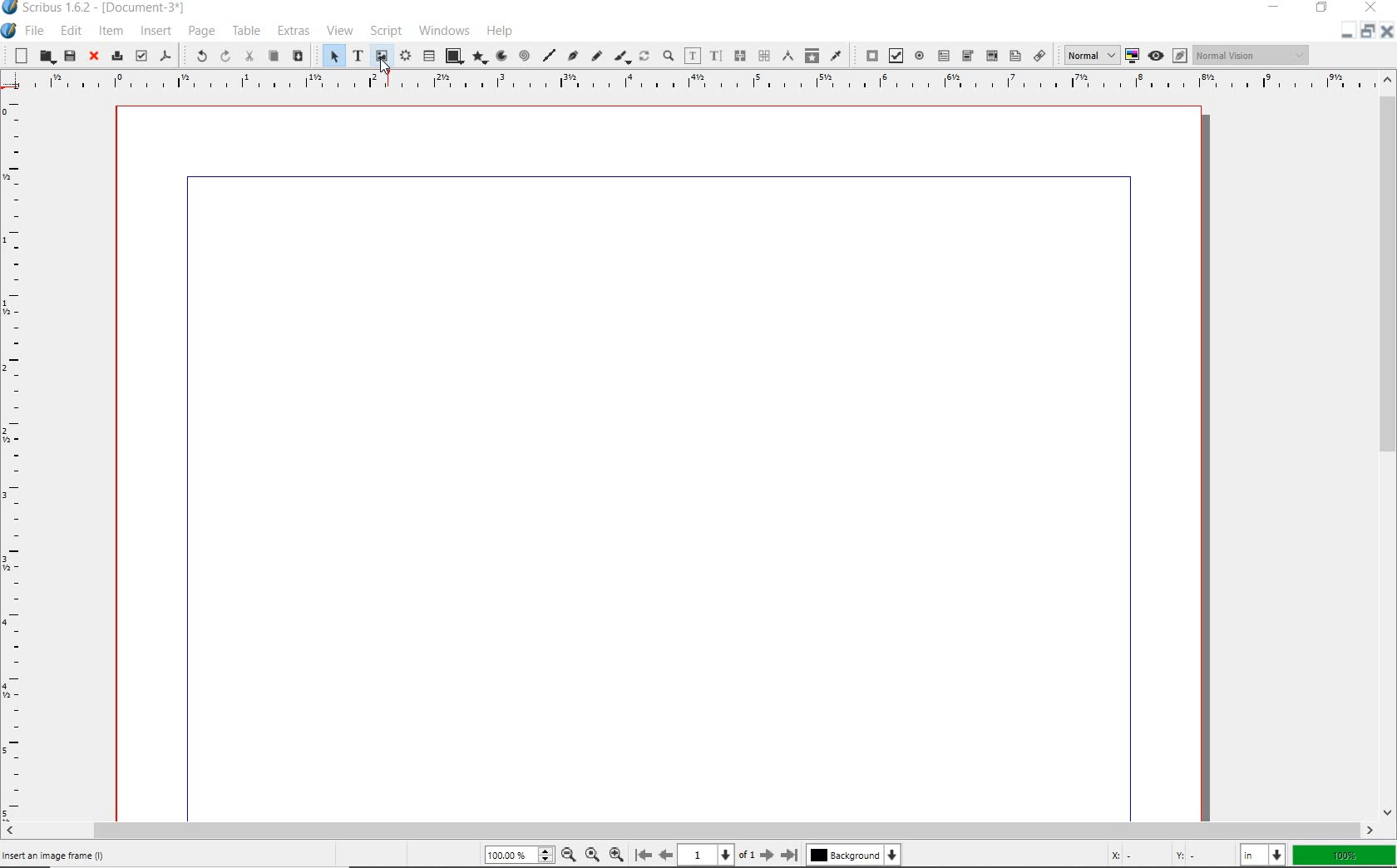 Image resolution: width=1397 pixels, height=868 pixels. Describe the element at coordinates (405, 57) in the screenshot. I see `render frame` at that location.